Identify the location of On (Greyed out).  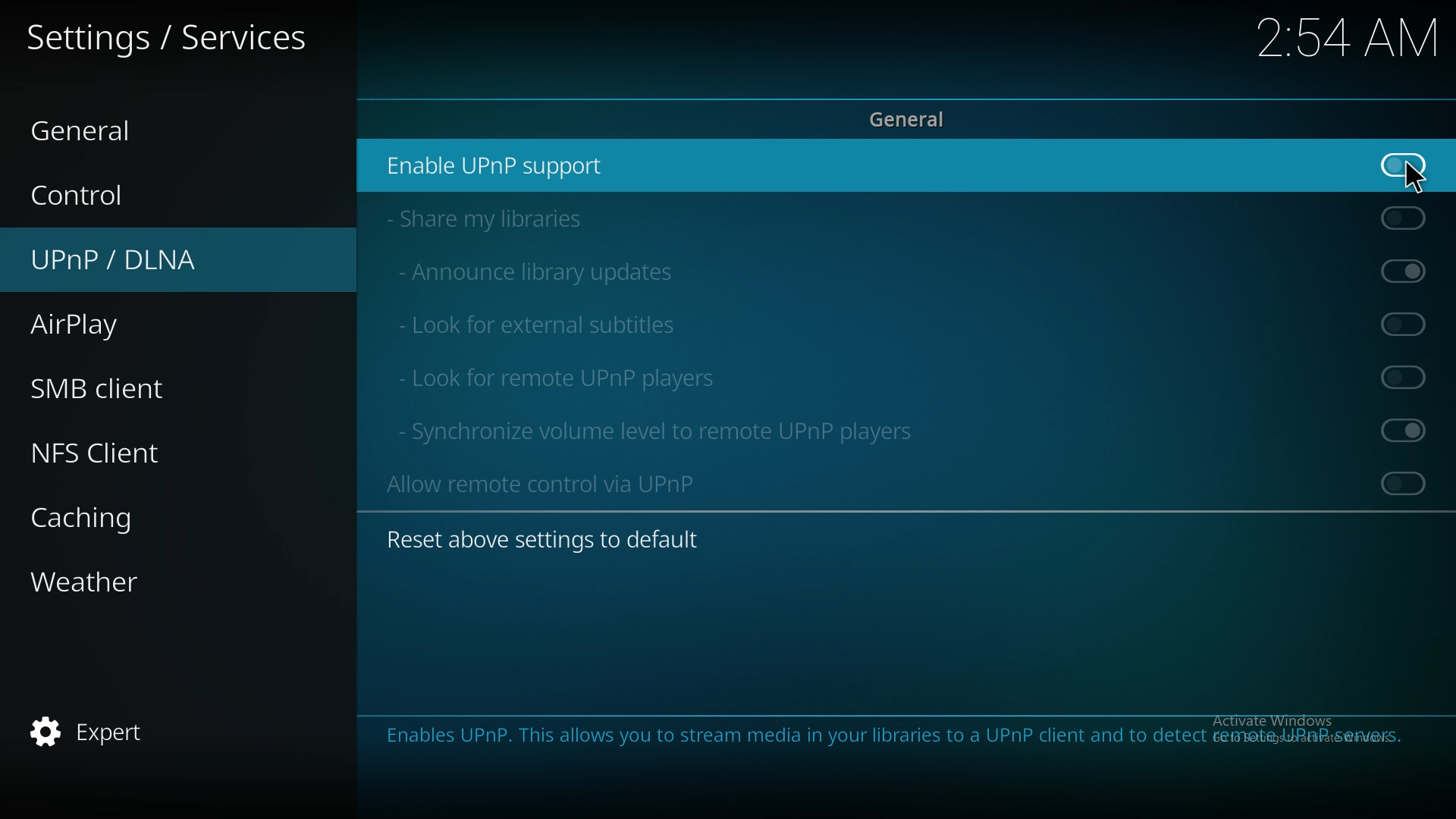
(1409, 271).